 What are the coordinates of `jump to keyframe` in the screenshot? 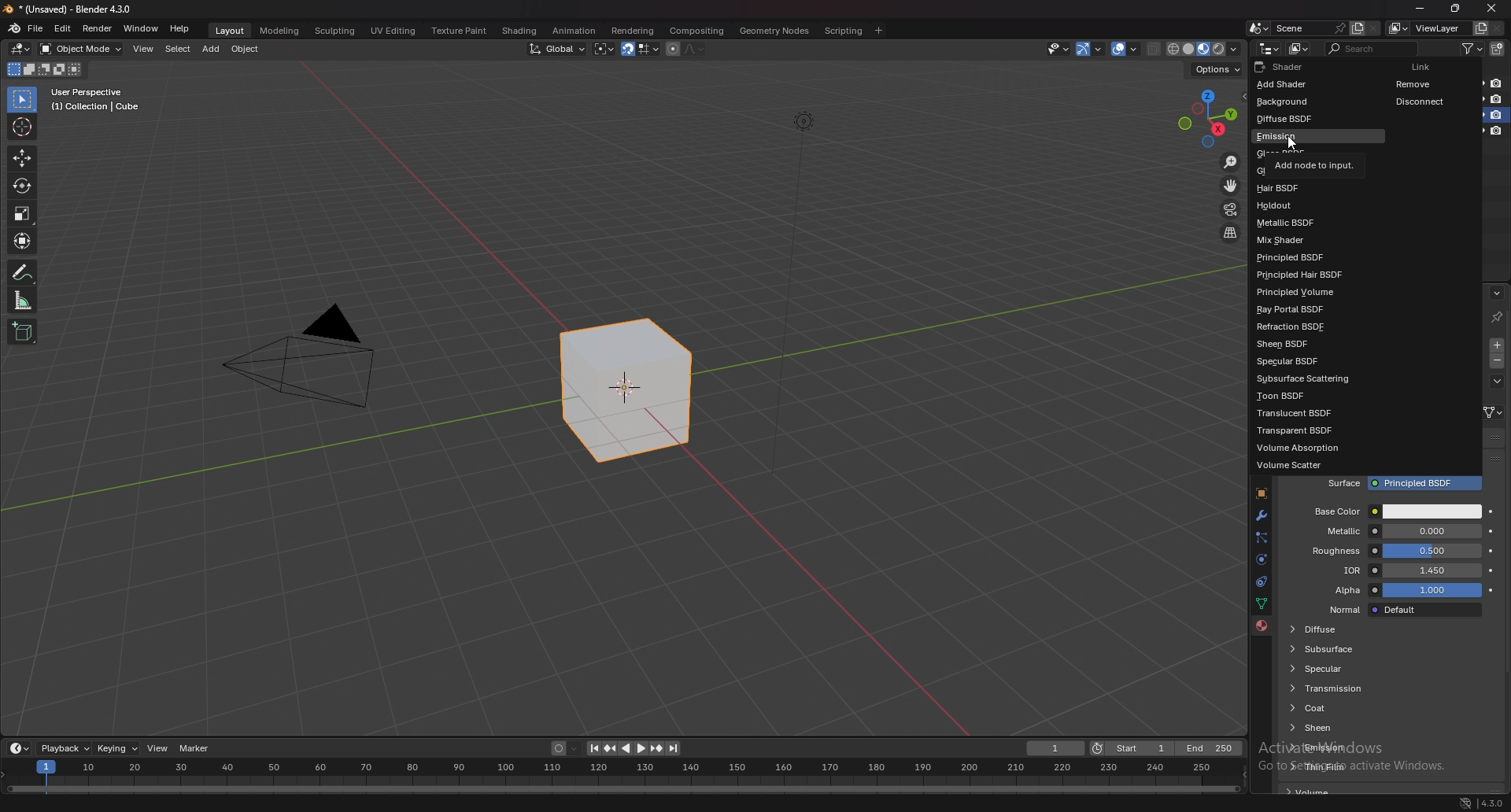 It's located at (609, 748).